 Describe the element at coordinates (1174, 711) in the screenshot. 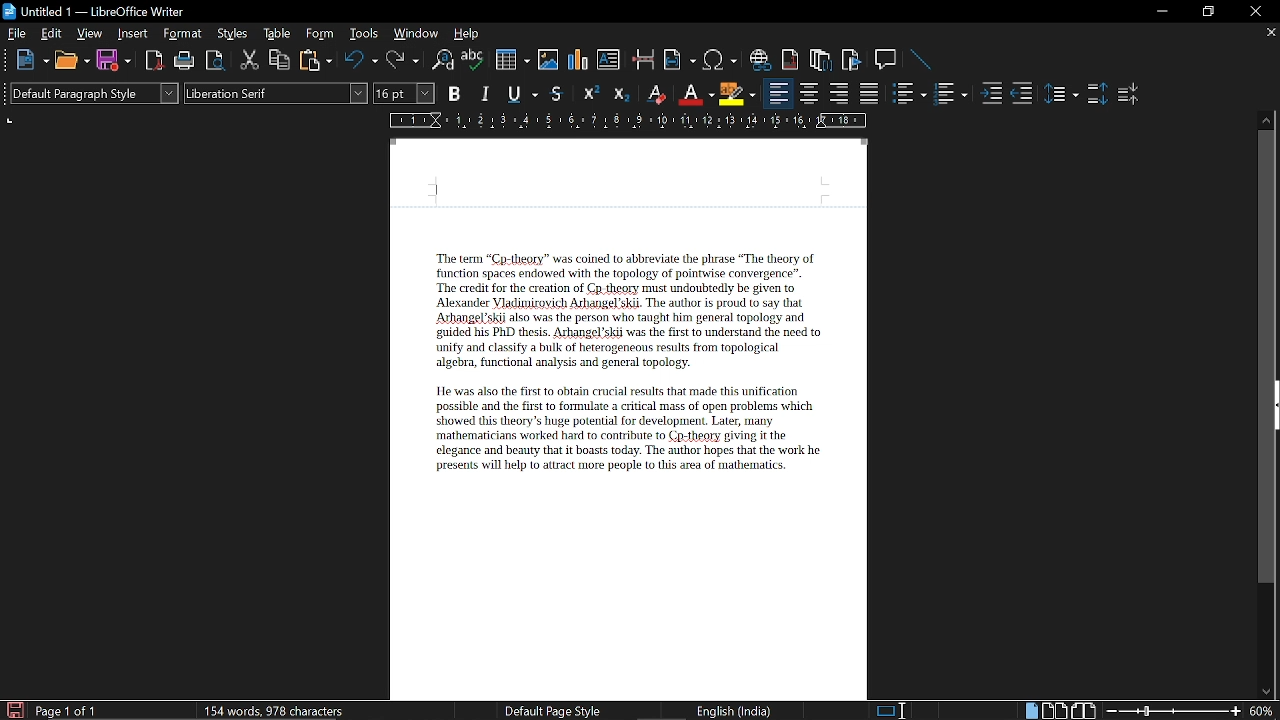

I see `Change zoom` at that location.